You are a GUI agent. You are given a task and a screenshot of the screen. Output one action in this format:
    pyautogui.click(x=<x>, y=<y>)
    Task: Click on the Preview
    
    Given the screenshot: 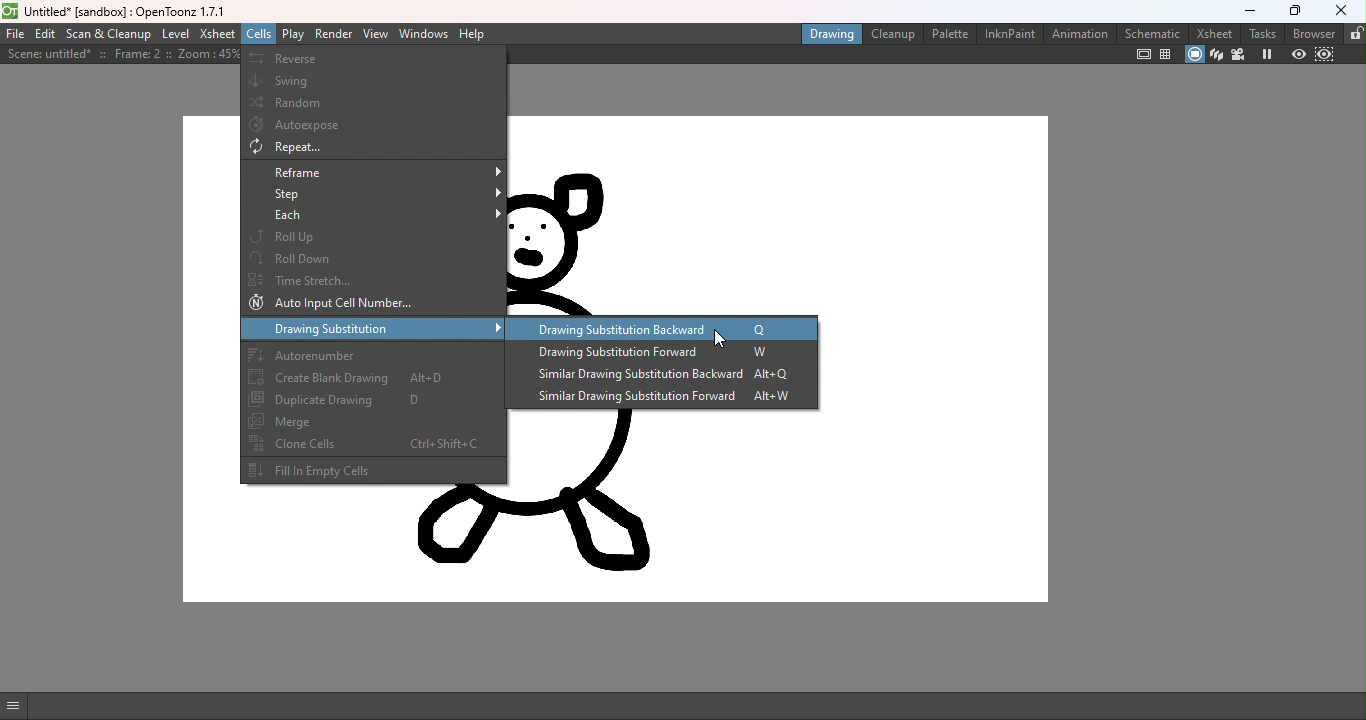 What is the action you would take?
    pyautogui.click(x=1299, y=56)
    